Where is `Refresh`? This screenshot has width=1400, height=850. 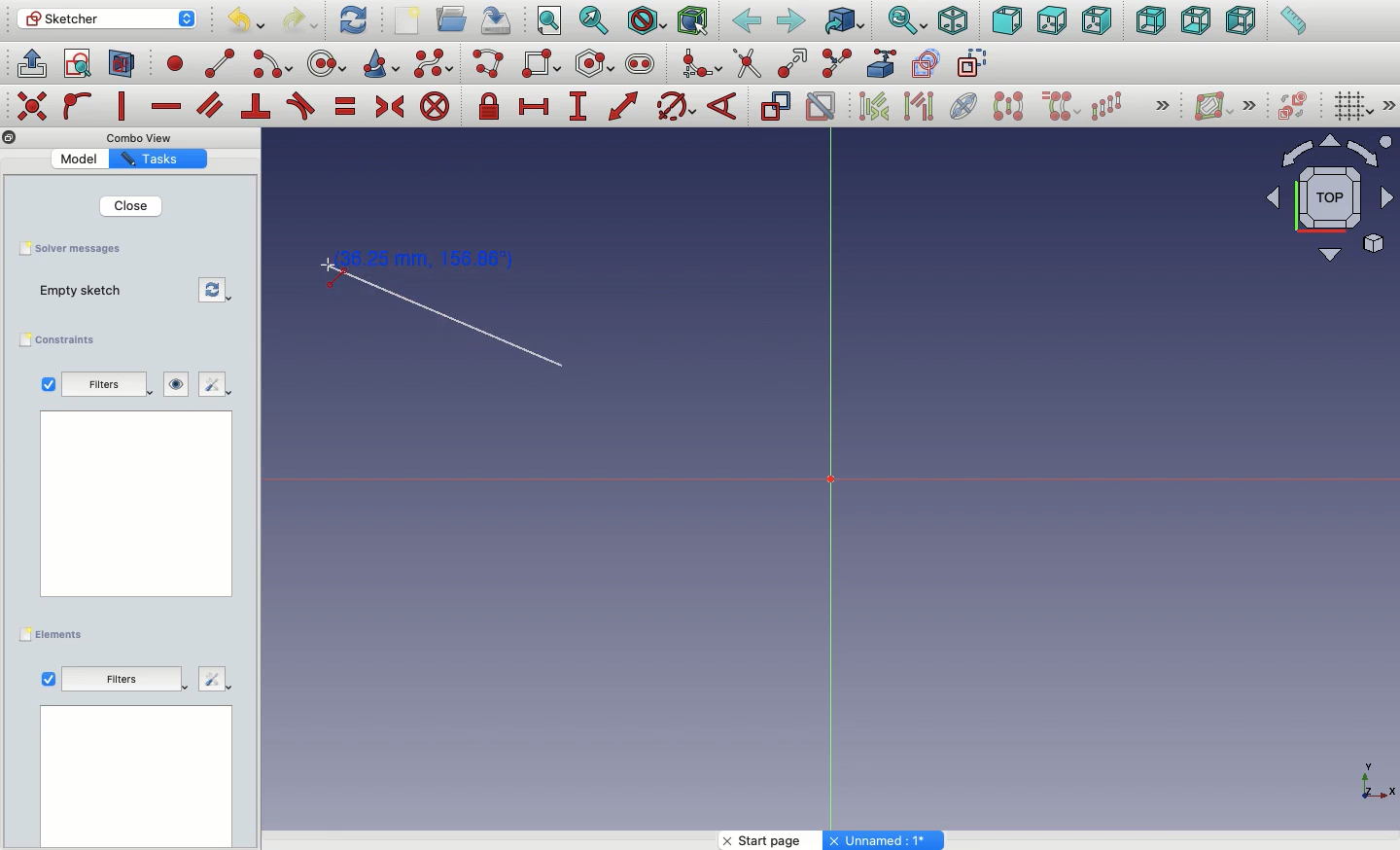
Refresh is located at coordinates (353, 20).